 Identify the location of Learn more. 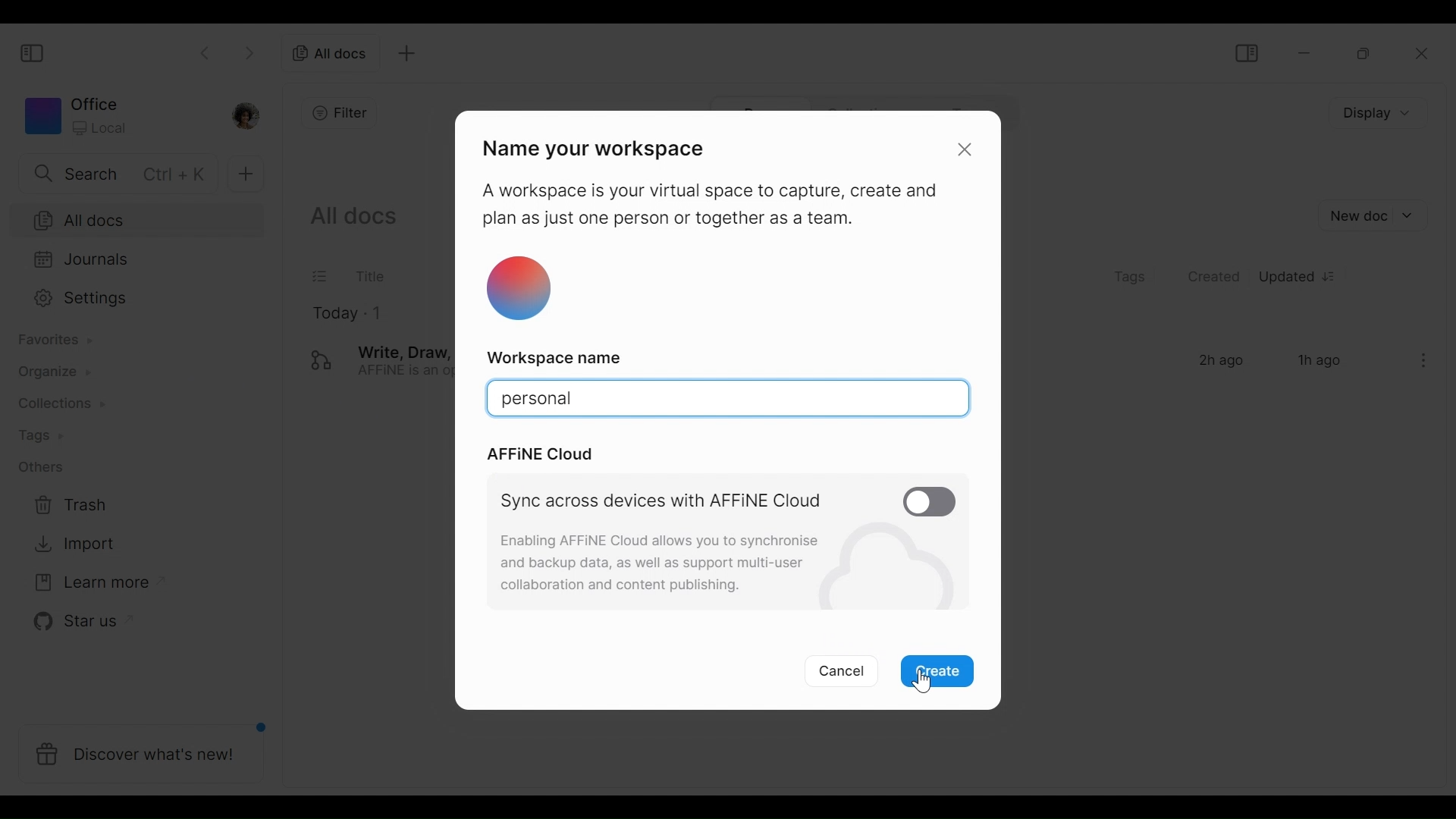
(92, 579).